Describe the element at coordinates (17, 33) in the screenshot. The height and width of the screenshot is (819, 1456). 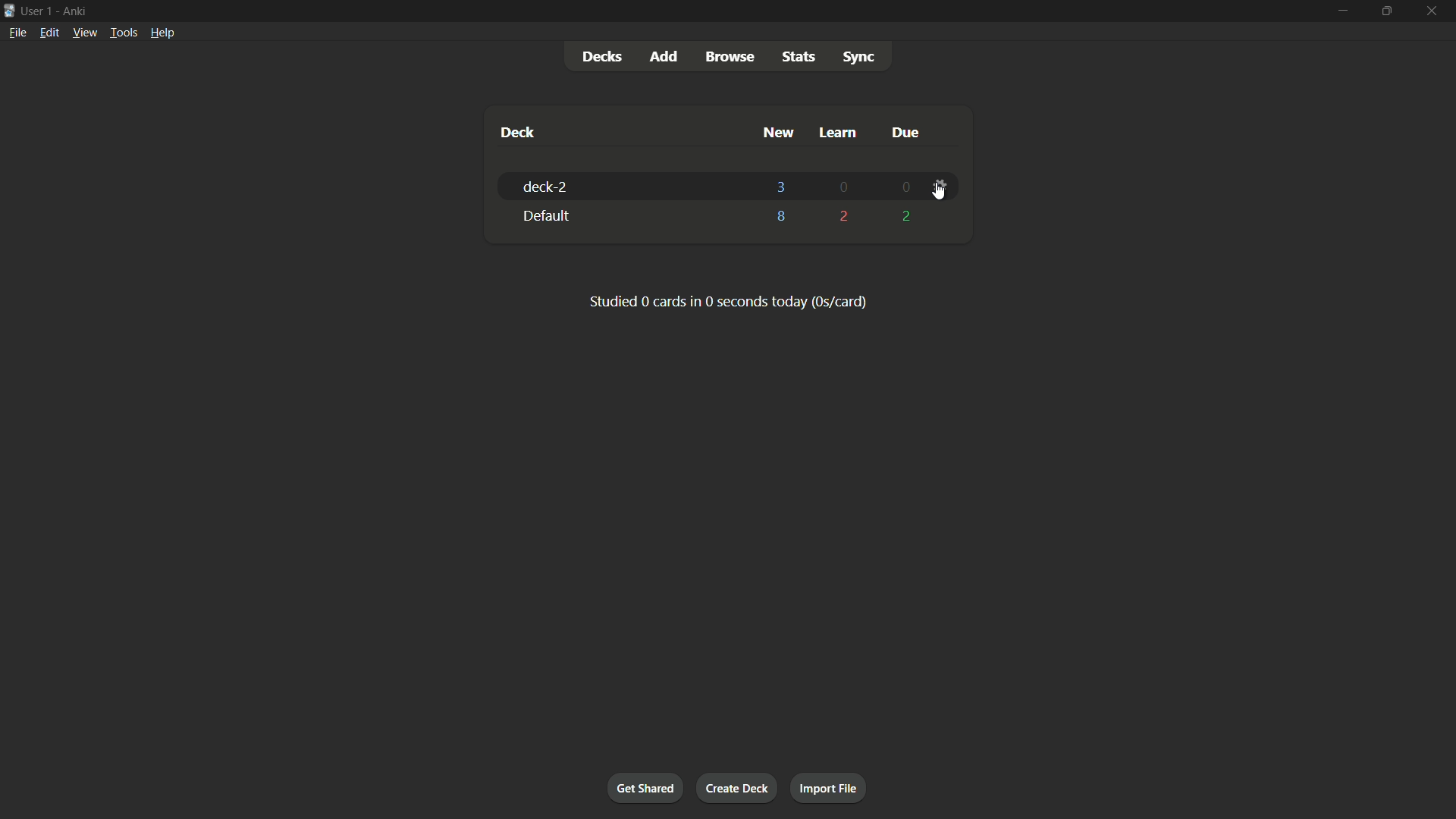
I see `file menu` at that location.